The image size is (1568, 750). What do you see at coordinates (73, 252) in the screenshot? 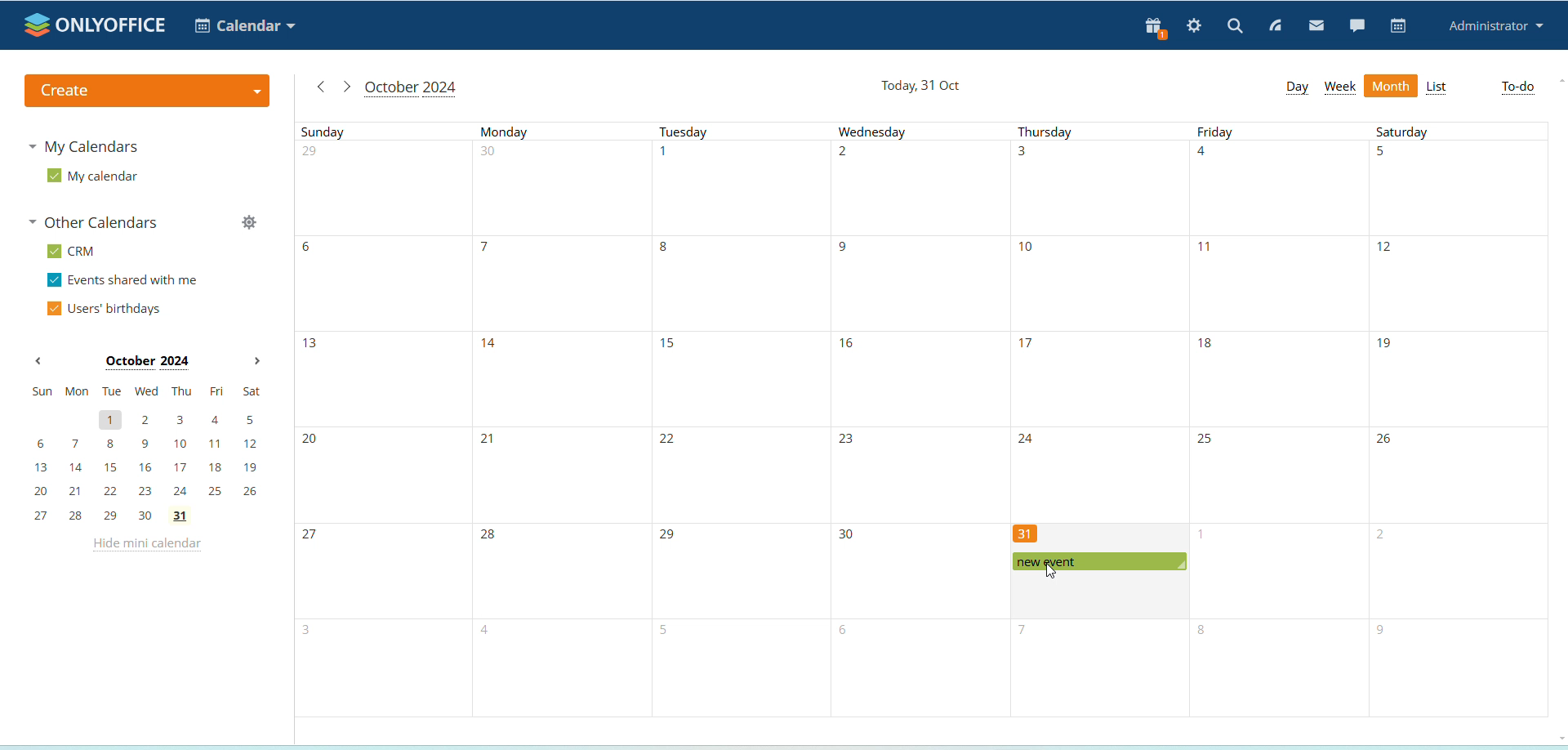
I see `CRM` at bounding box center [73, 252].